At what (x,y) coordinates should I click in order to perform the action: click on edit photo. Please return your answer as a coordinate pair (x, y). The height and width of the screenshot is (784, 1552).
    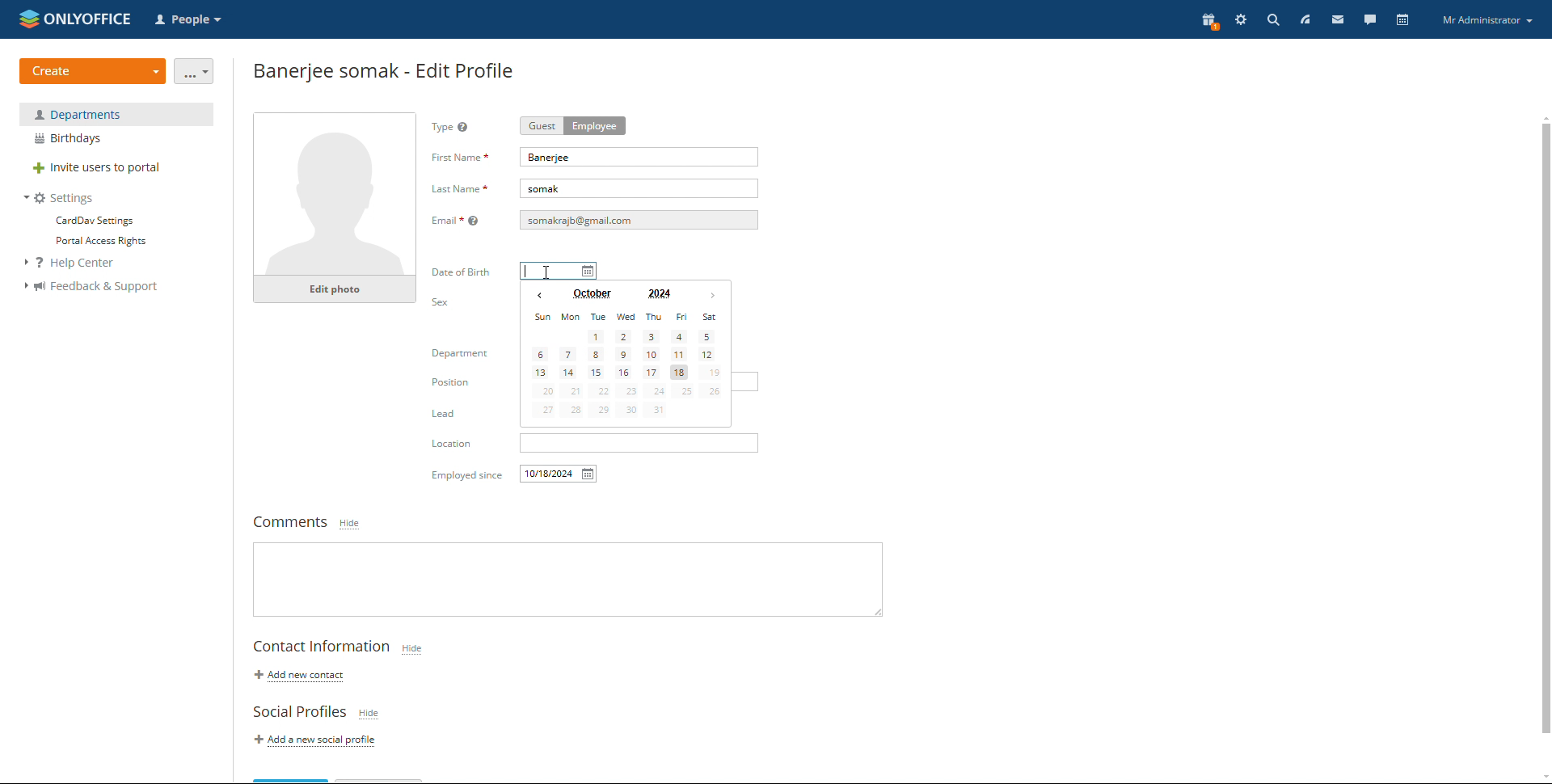
    Looking at the image, I should click on (335, 289).